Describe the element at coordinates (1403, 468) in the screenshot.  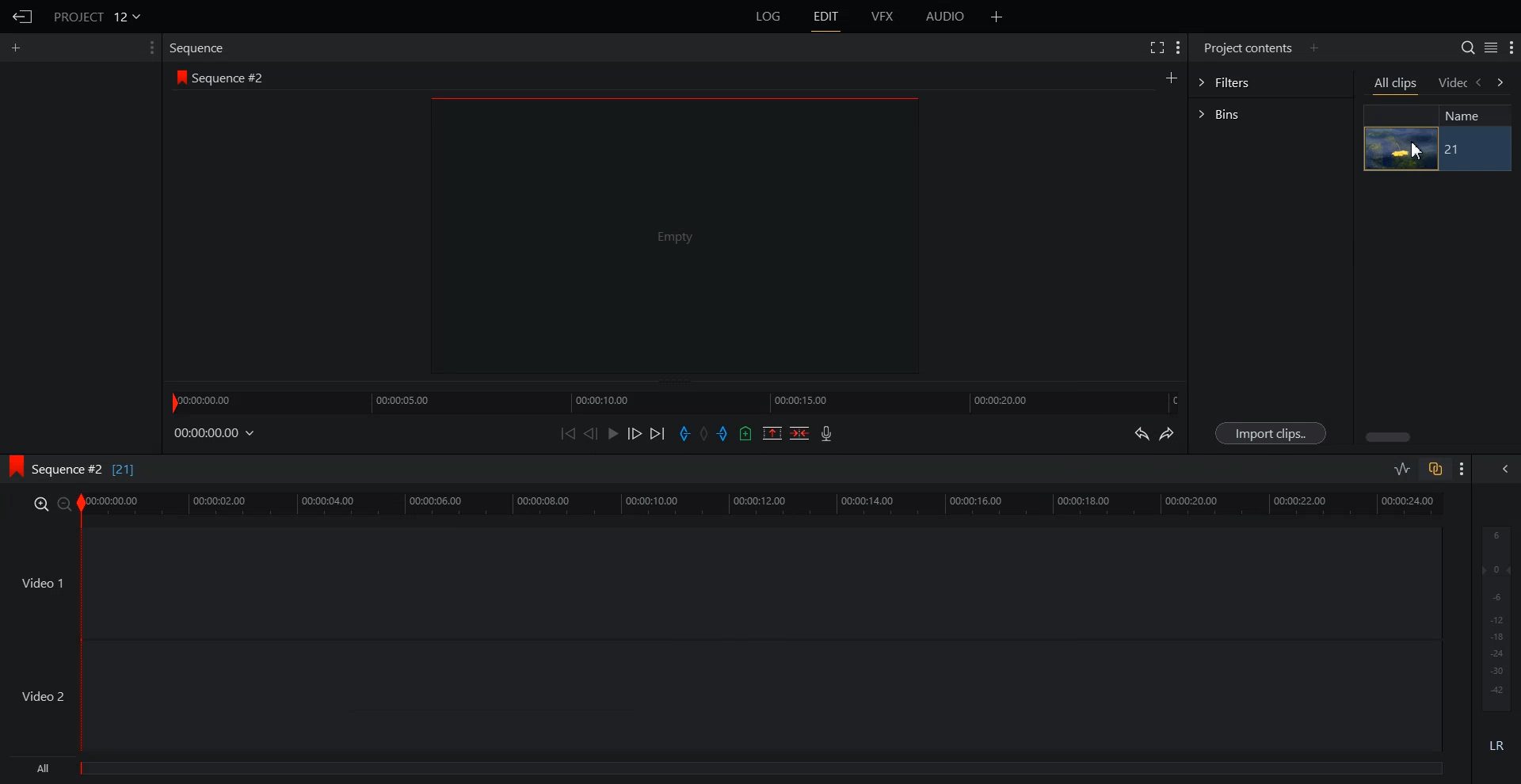
I see `Toggle Audio editing` at that location.